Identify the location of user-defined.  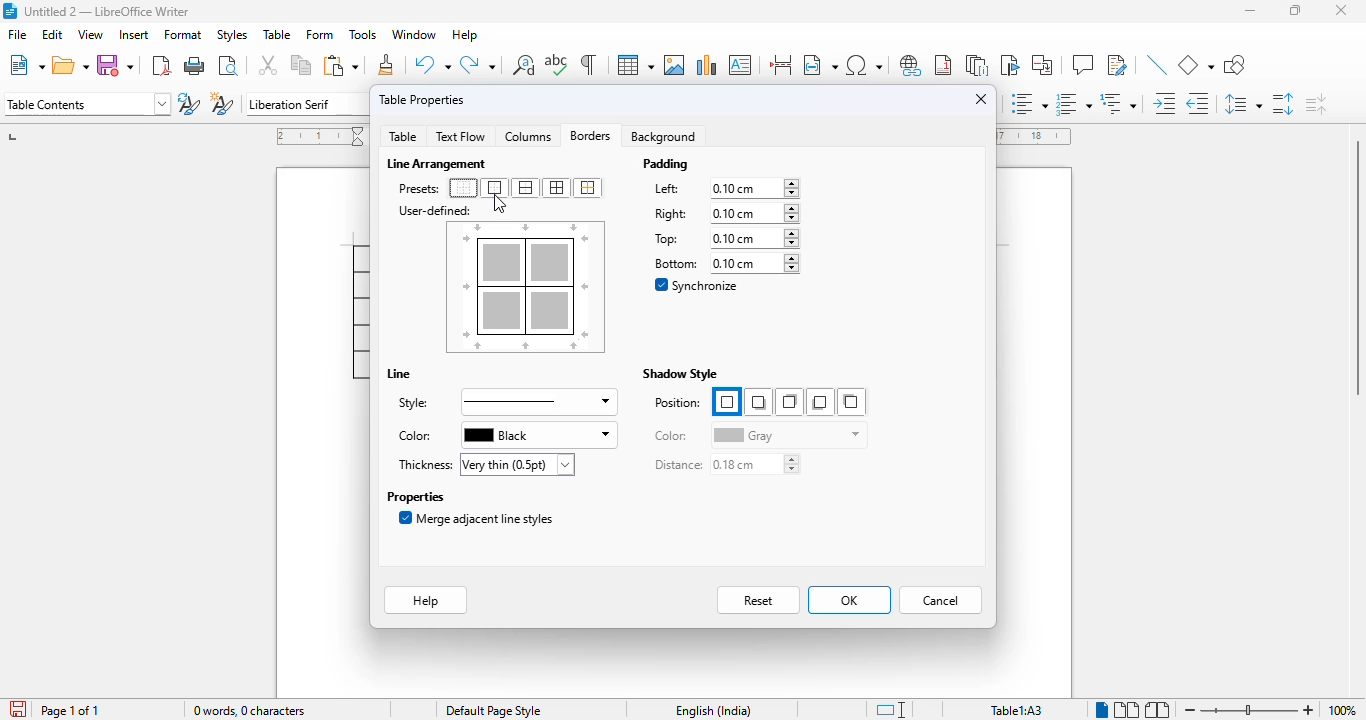
(435, 211).